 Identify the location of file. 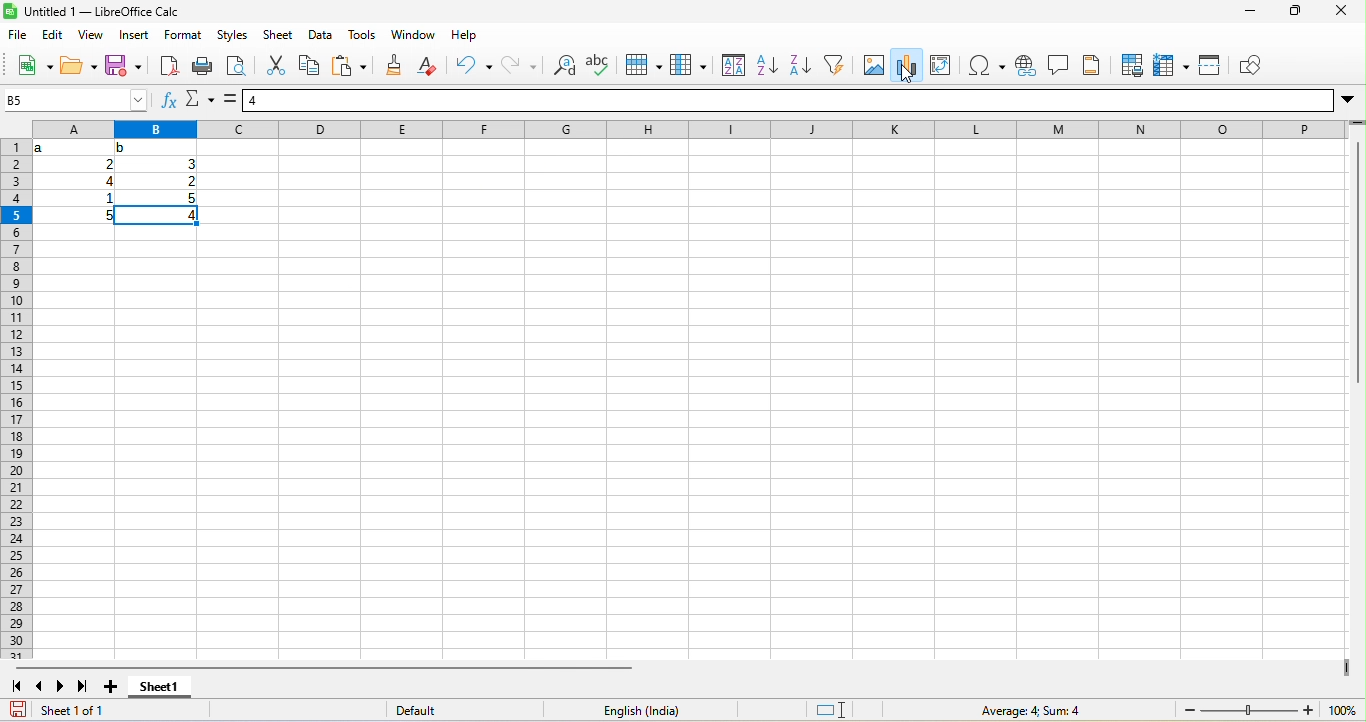
(18, 35).